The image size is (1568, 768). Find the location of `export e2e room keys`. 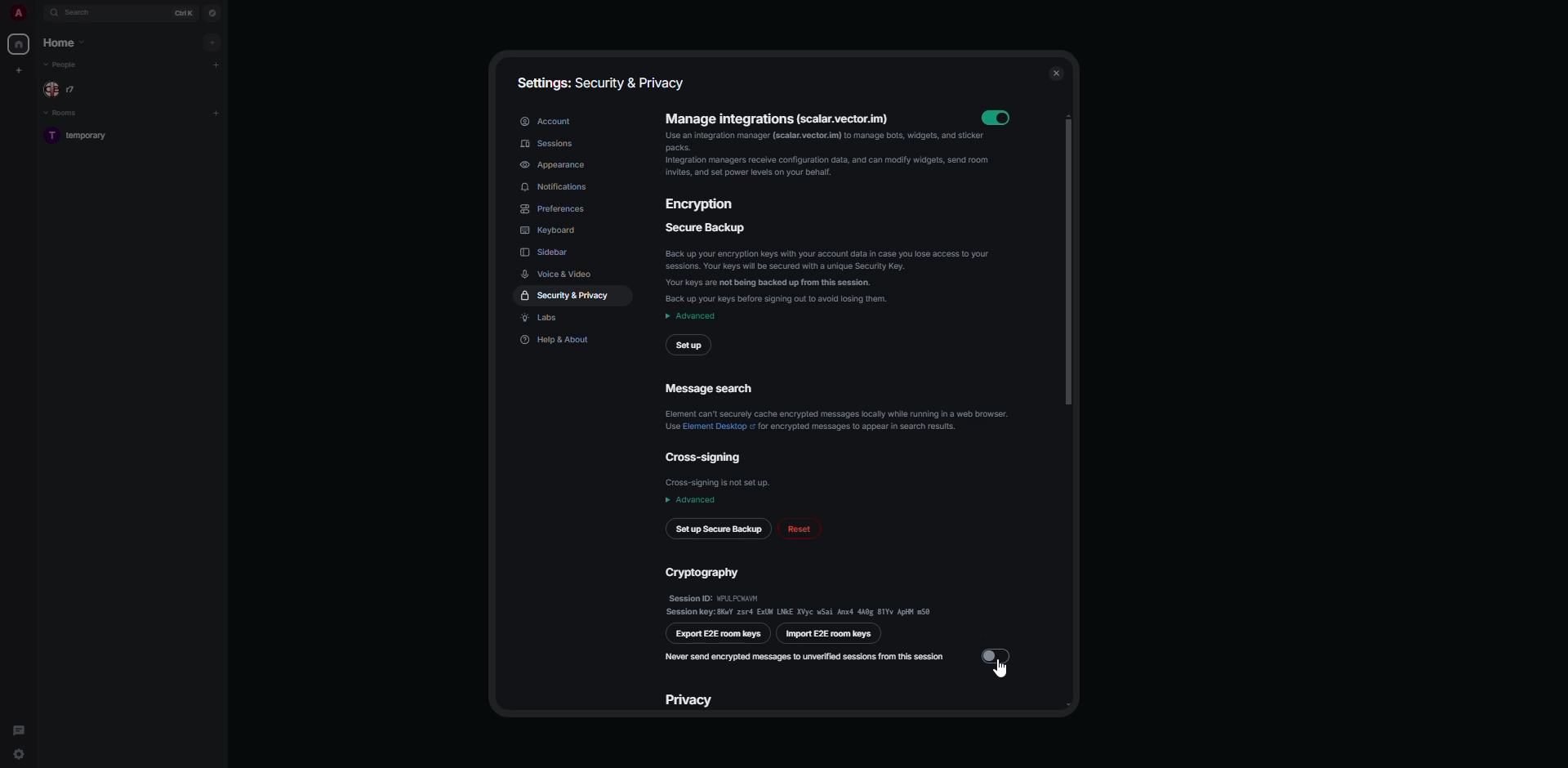

export e2e room keys is located at coordinates (719, 633).